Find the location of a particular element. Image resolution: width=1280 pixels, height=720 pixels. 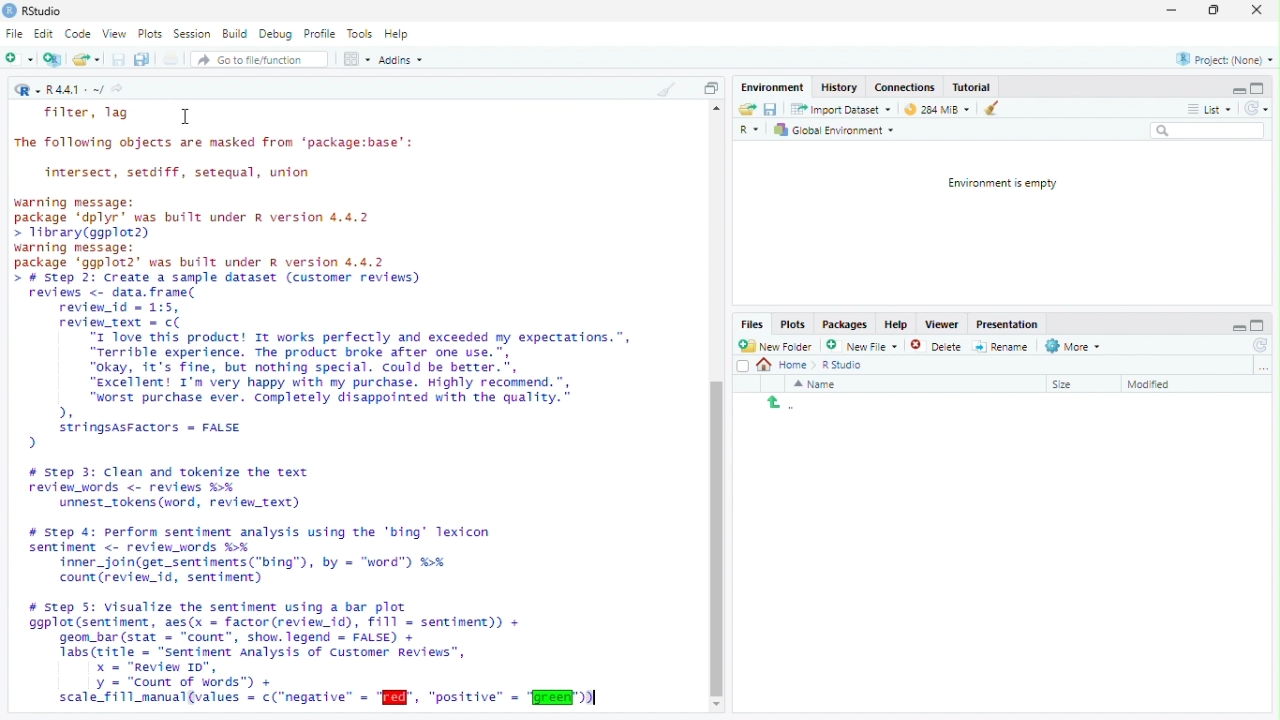

History is located at coordinates (841, 86).